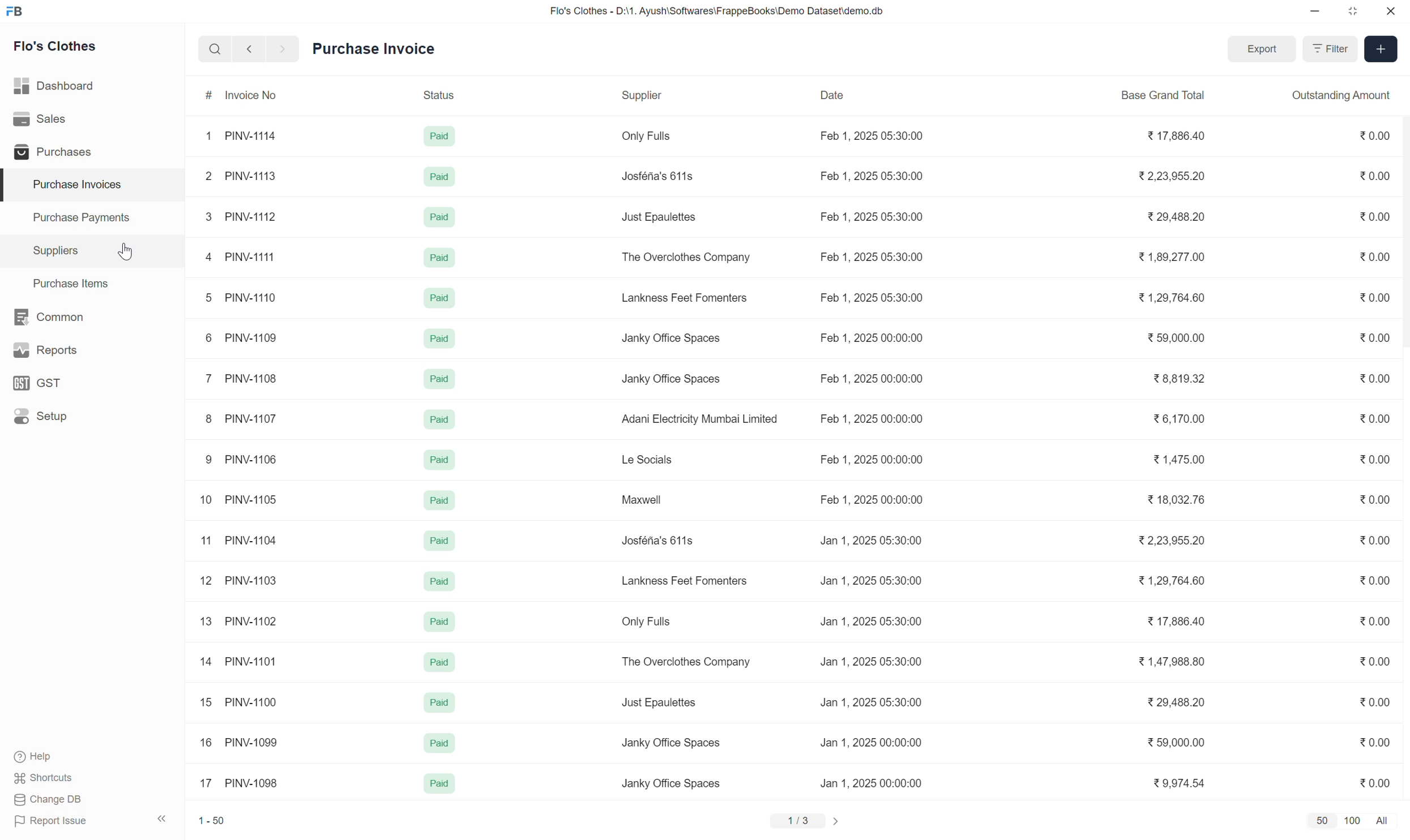 Image resolution: width=1410 pixels, height=840 pixels. Describe the element at coordinates (1375, 135) in the screenshot. I see `0.00` at that location.